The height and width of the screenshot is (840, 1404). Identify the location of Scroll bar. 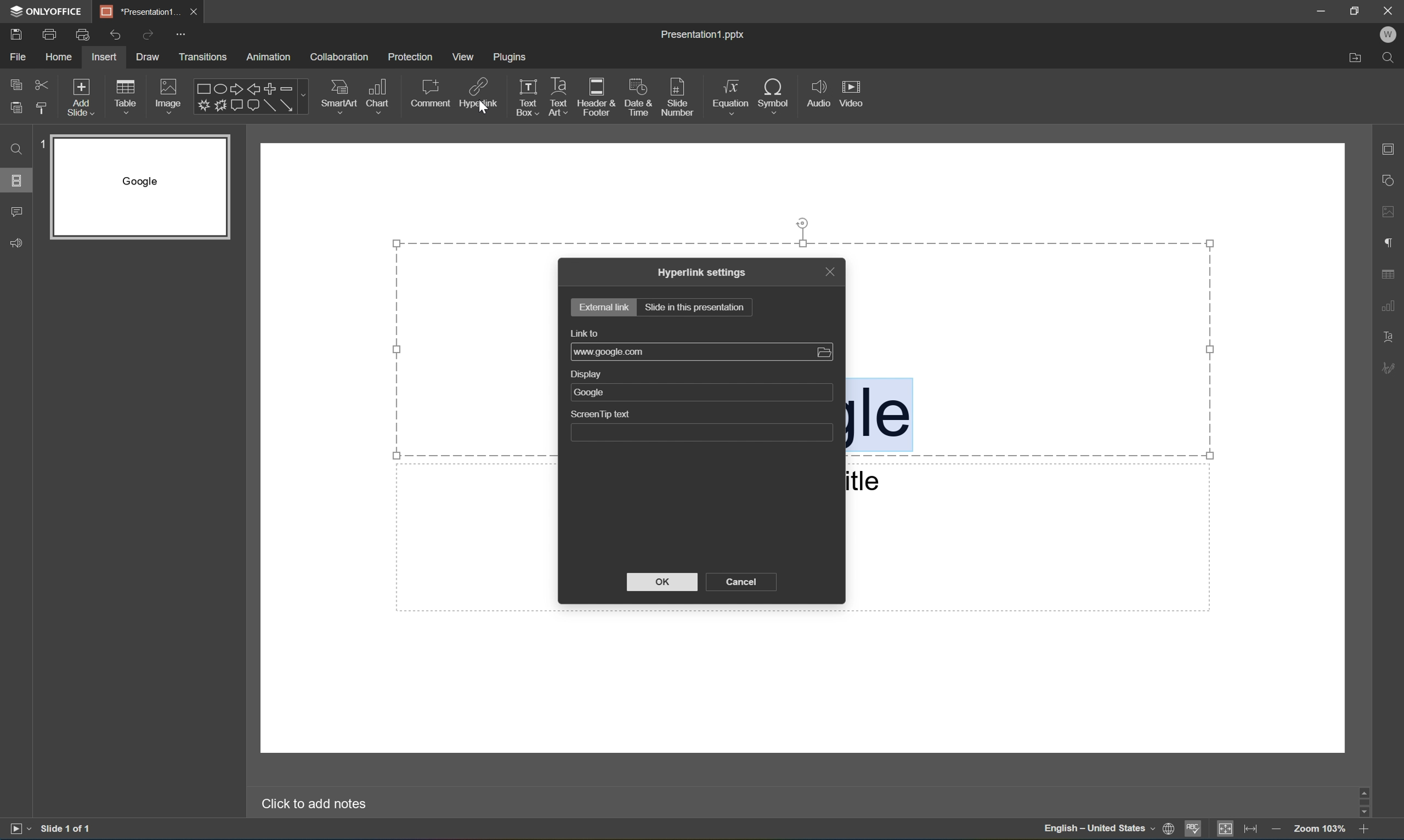
(1364, 801).